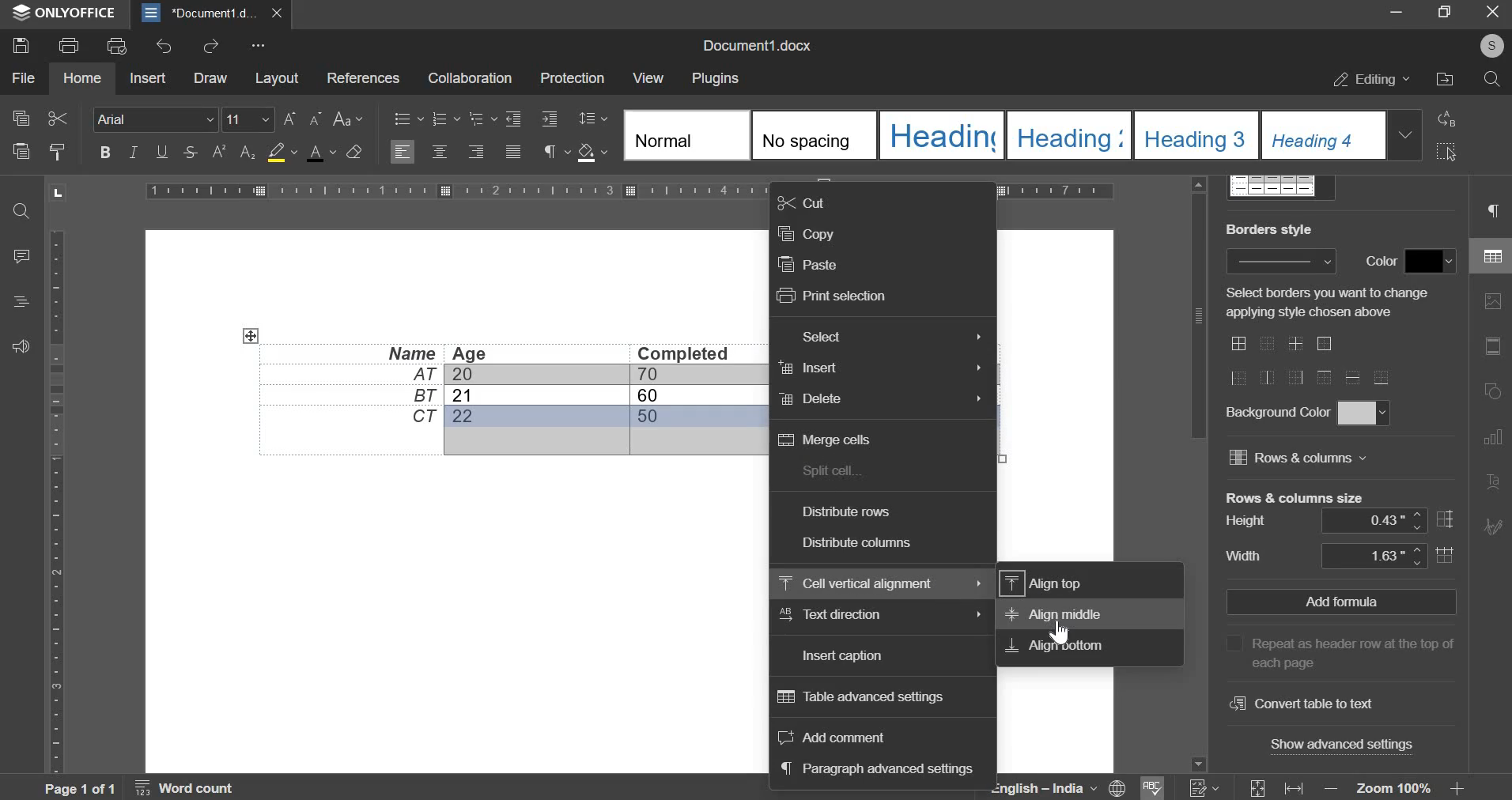  Describe the element at coordinates (1341, 601) in the screenshot. I see `add formula` at that location.